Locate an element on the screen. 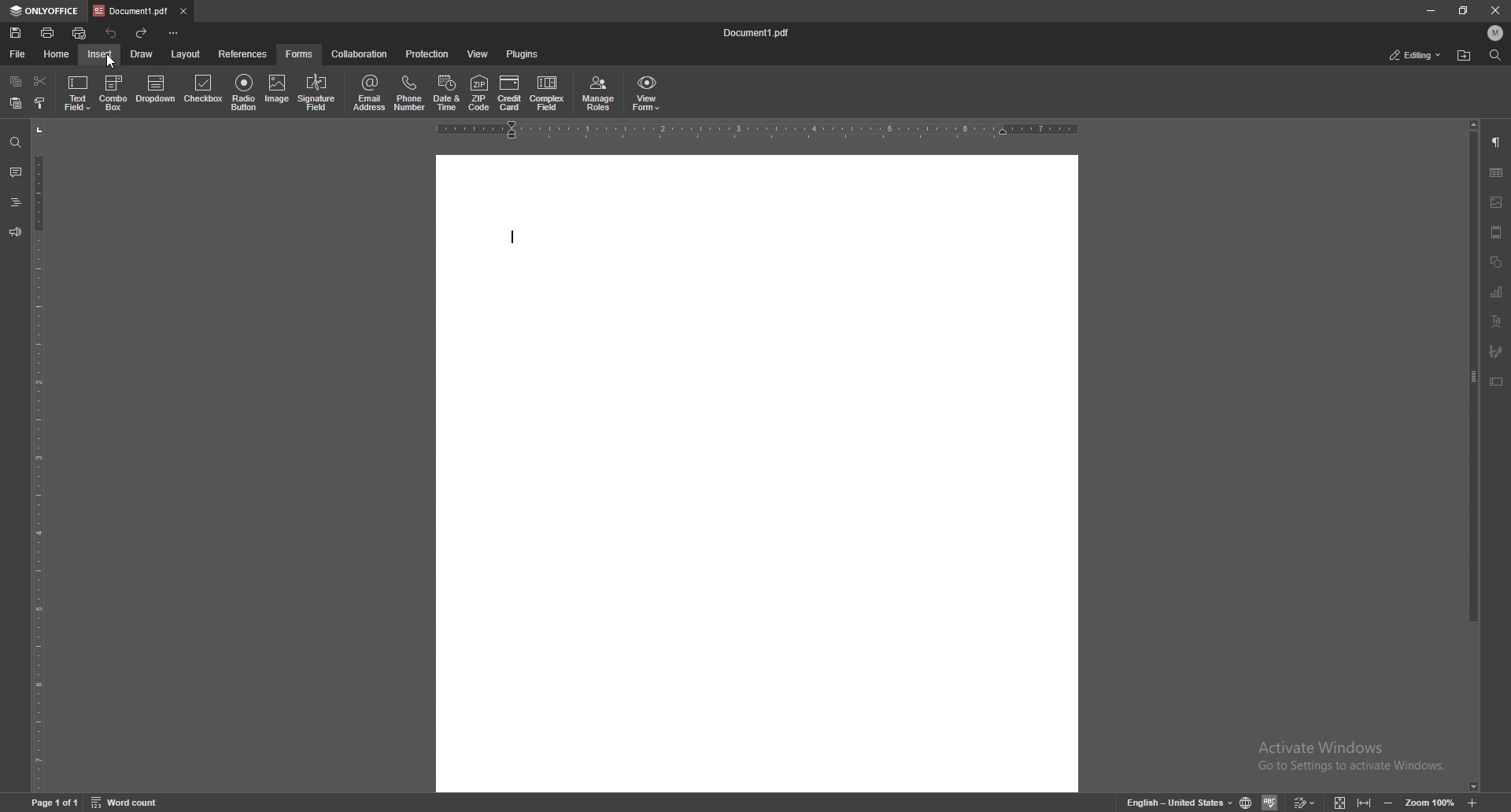 This screenshot has height=812, width=1511. date and time is located at coordinates (447, 92).